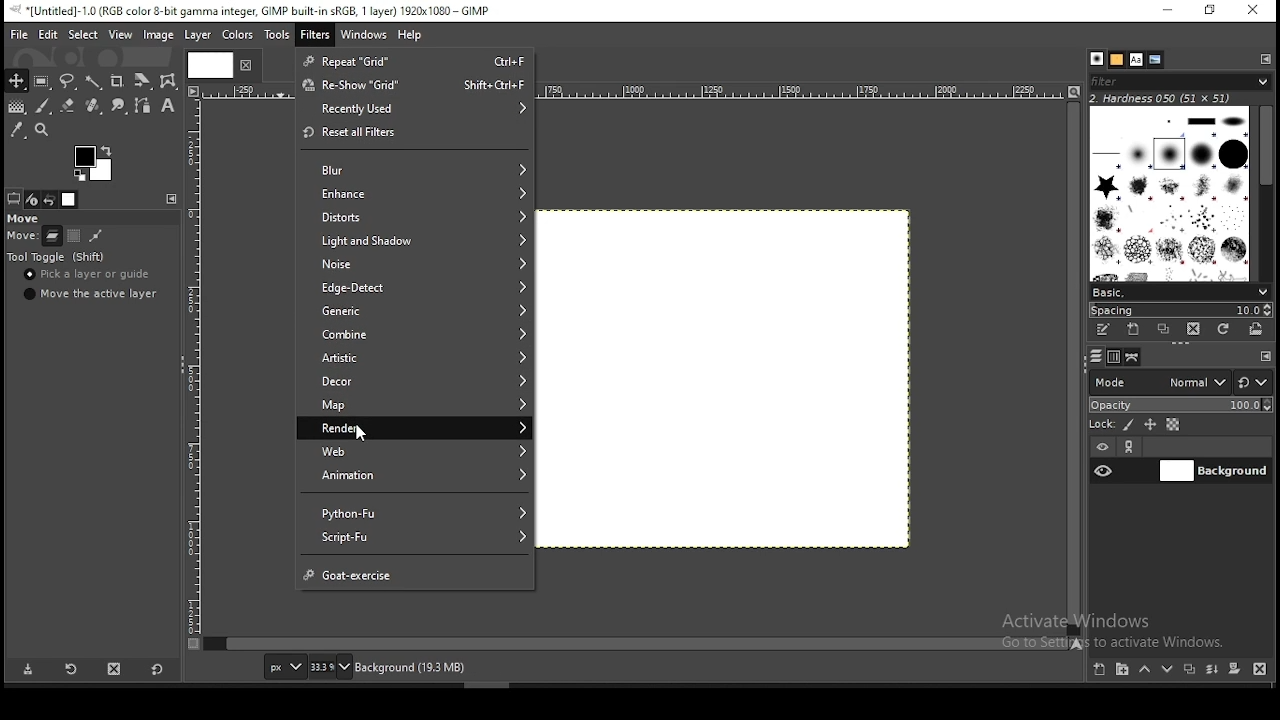 The image size is (1280, 720). I want to click on open brush as image, so click(1257, 329).